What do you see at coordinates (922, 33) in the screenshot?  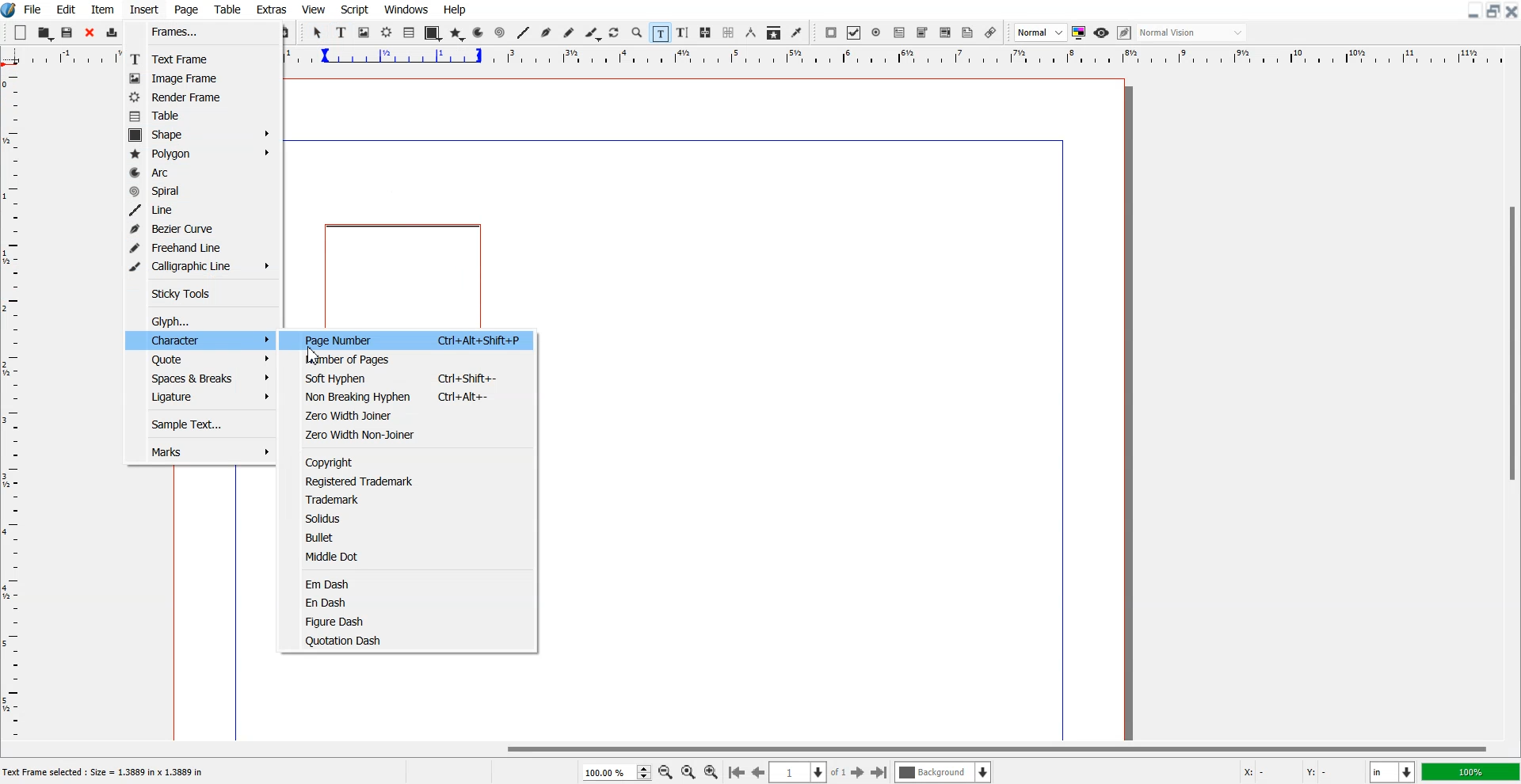 I see `PDF Text field` at bounding box center [922, 33].